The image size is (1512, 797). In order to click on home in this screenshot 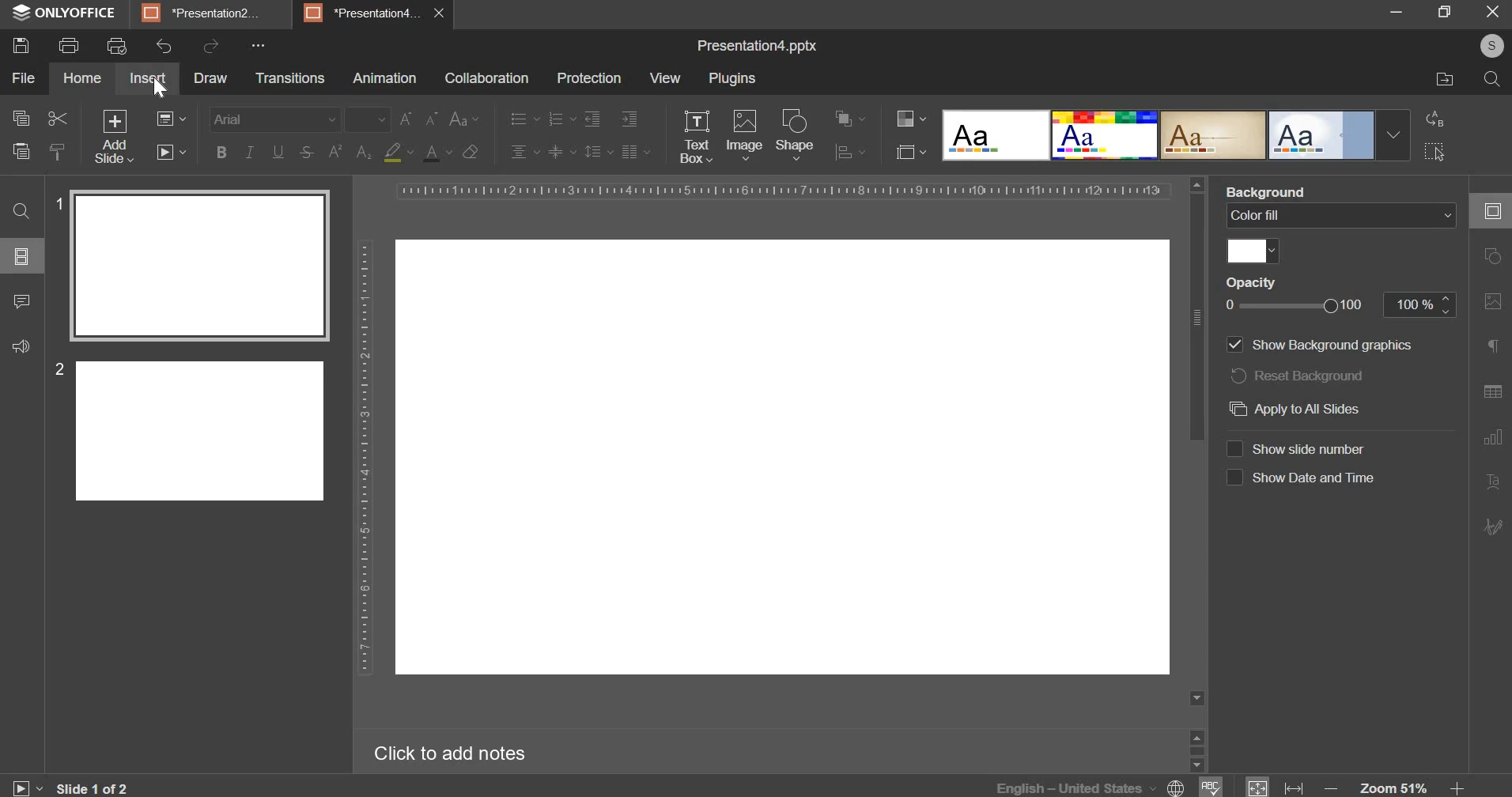, I will do `click(83, 77)`.